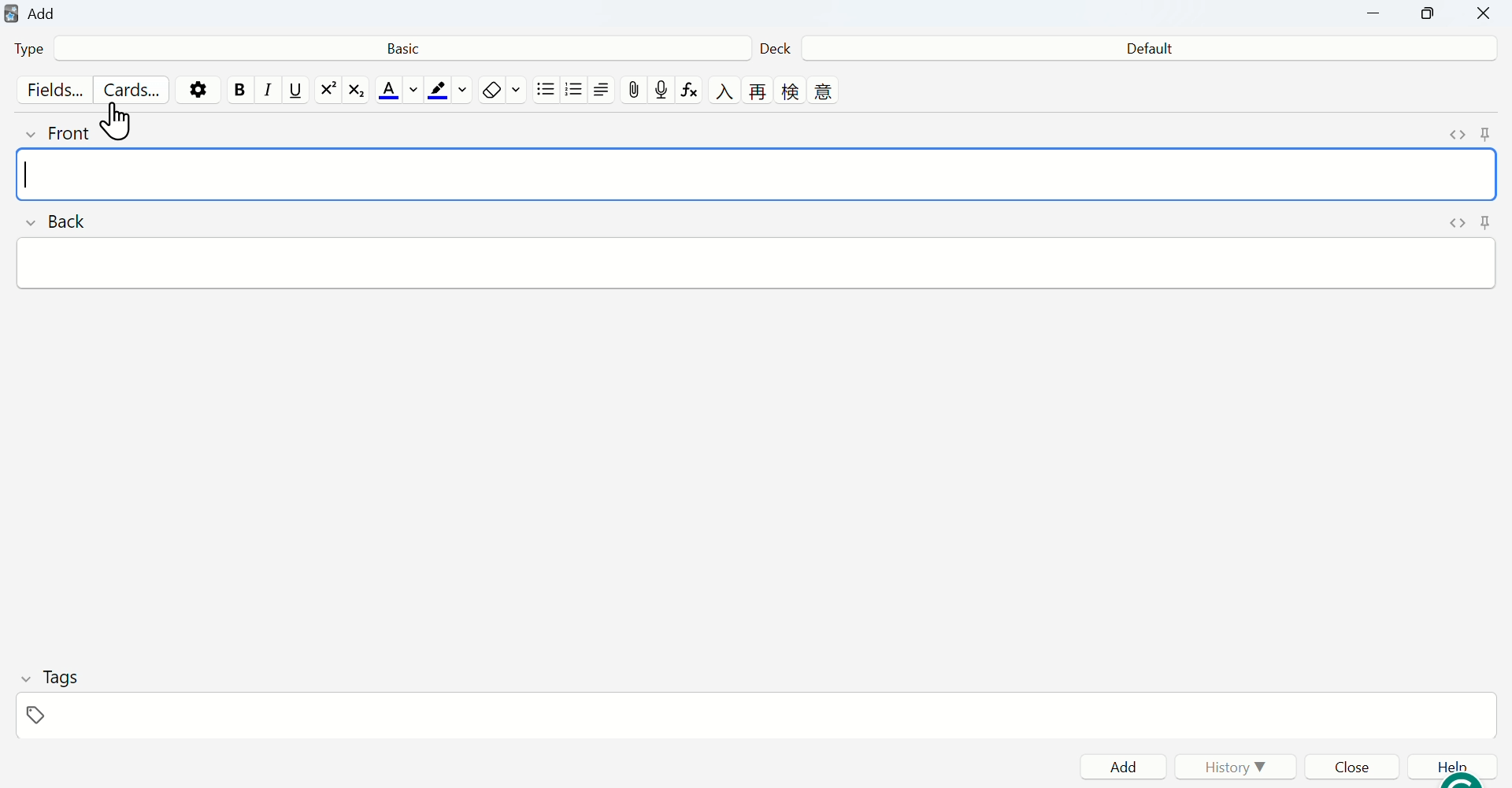  Describe the element at coordinates (756, 90) in the screenshot. I see `language` at that location.